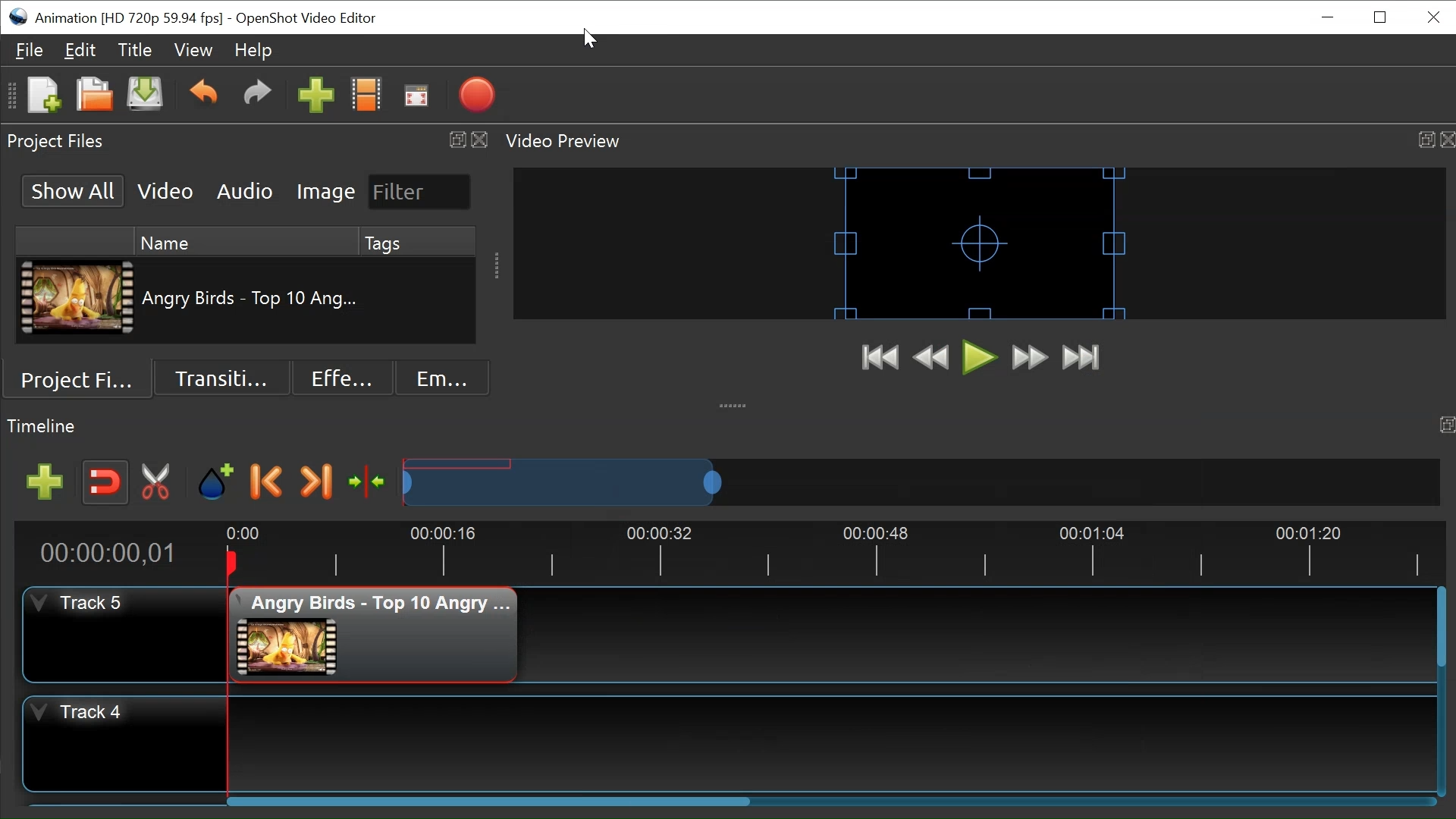  I want to click on Timeline, so click(829, 554).